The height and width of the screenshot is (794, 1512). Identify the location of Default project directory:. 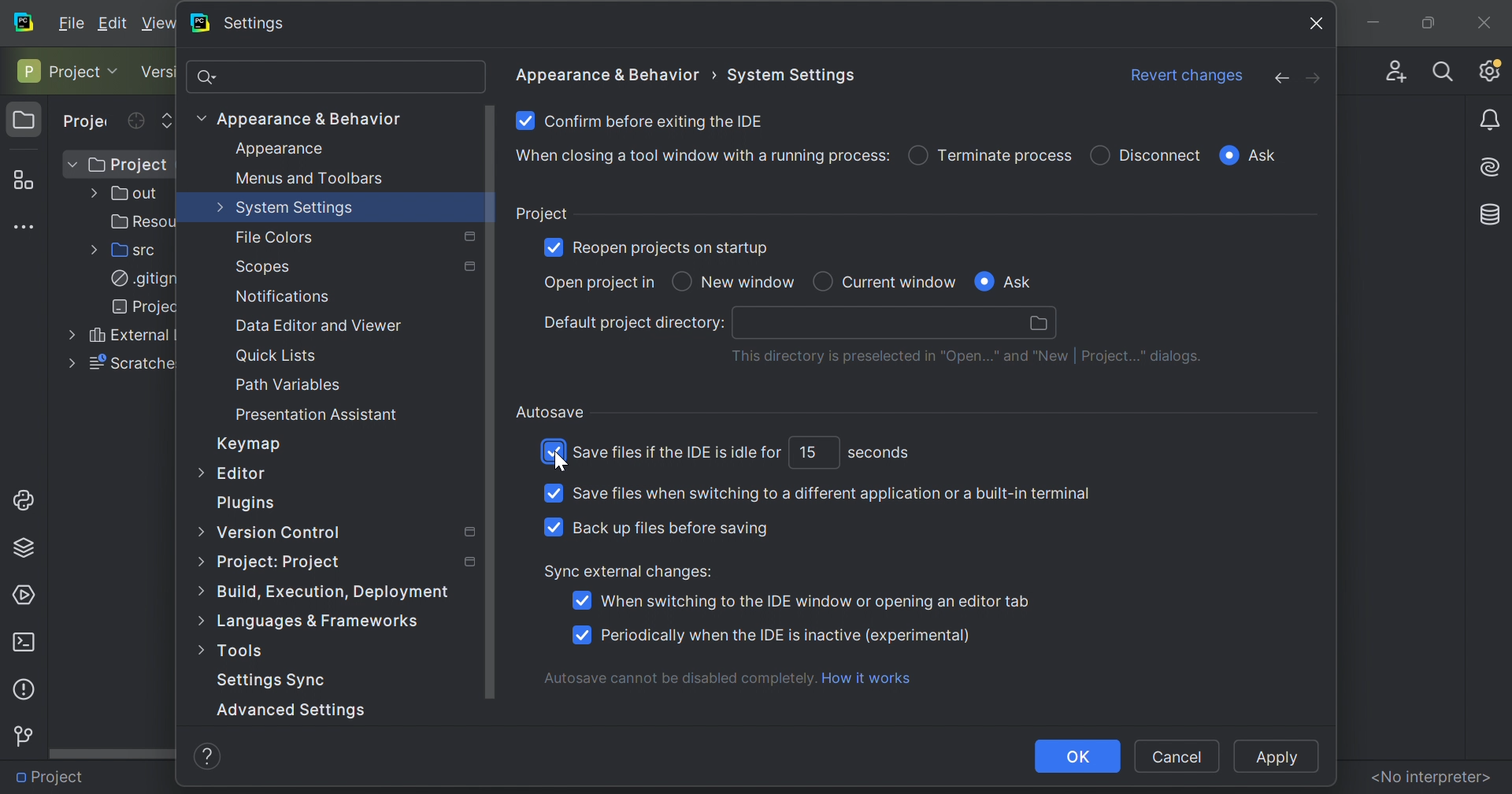
(633, 323).